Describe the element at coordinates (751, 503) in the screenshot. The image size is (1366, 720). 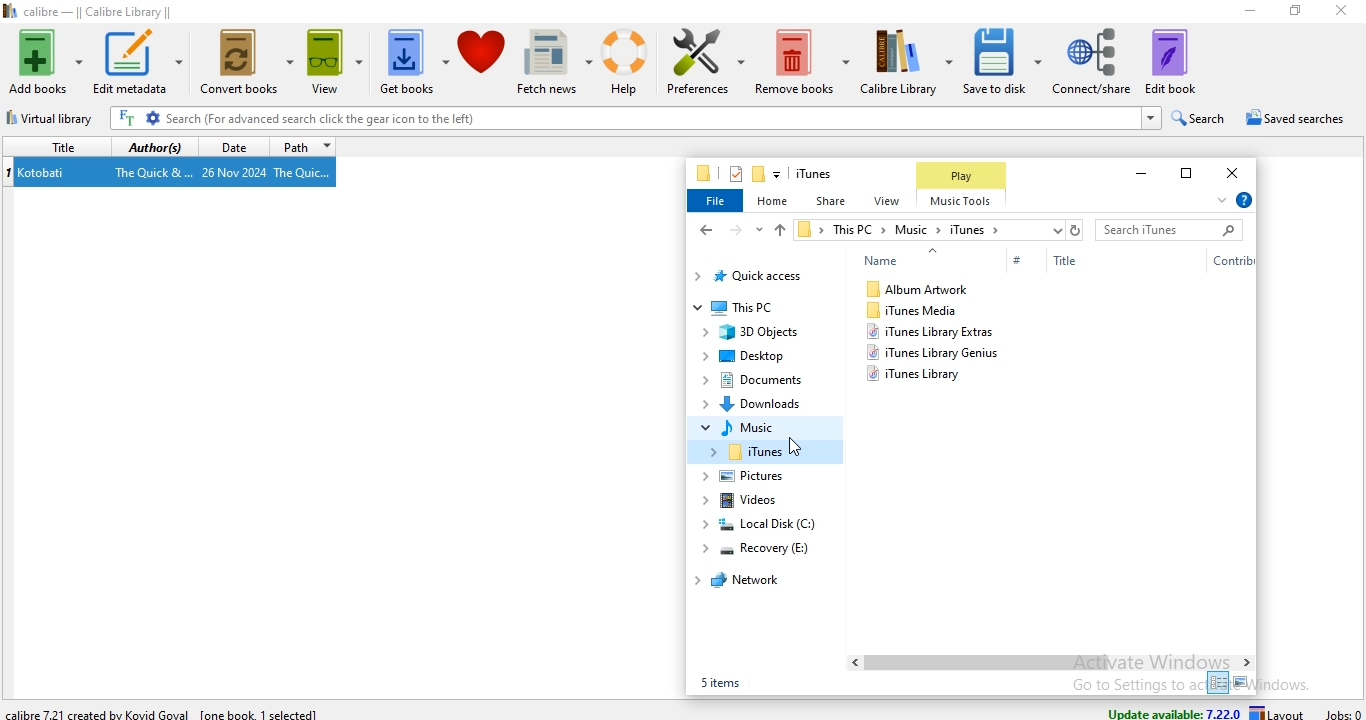
I see `videos` at that location.